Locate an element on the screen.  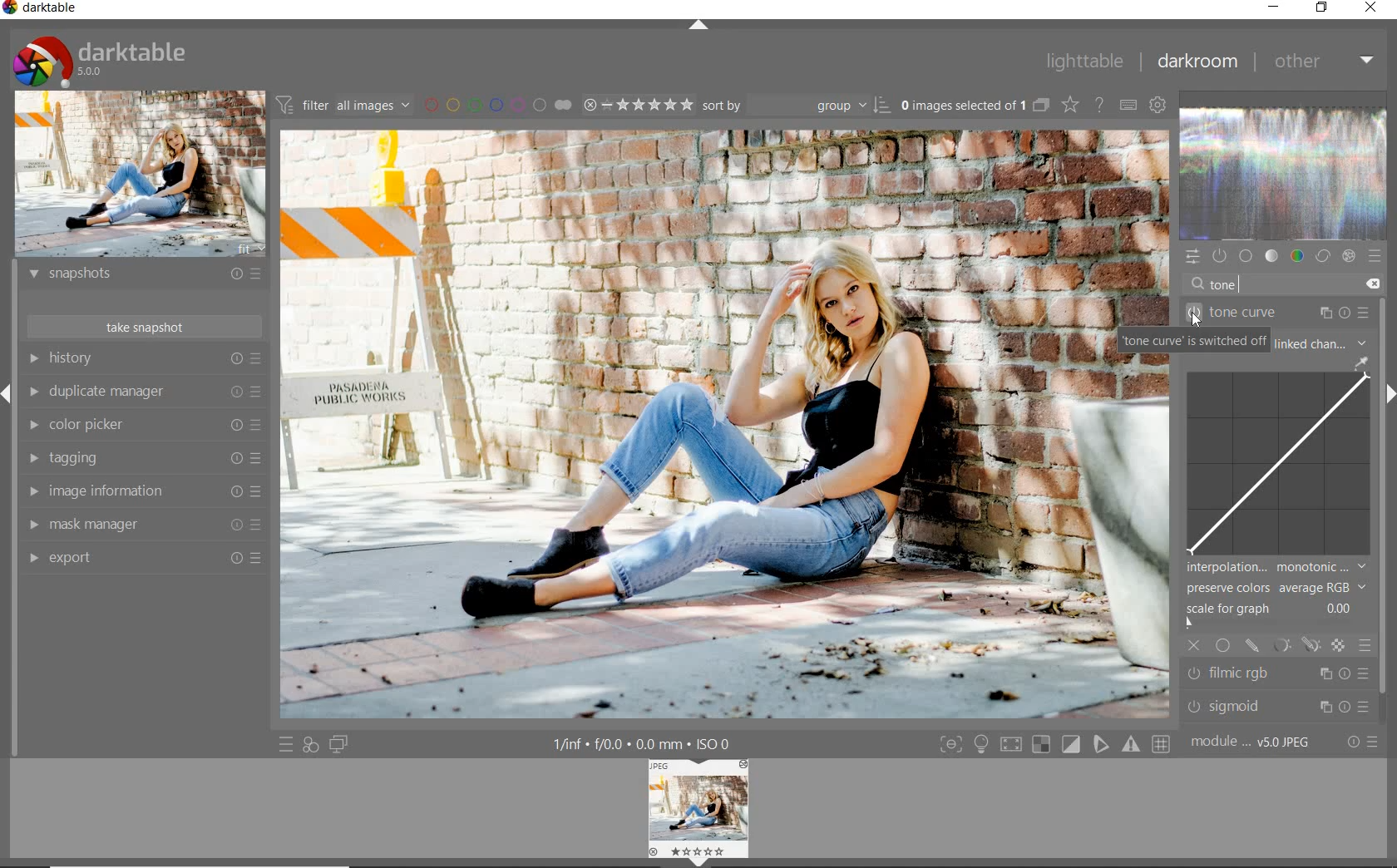
take snapshot is located at coordinates (142, 325).